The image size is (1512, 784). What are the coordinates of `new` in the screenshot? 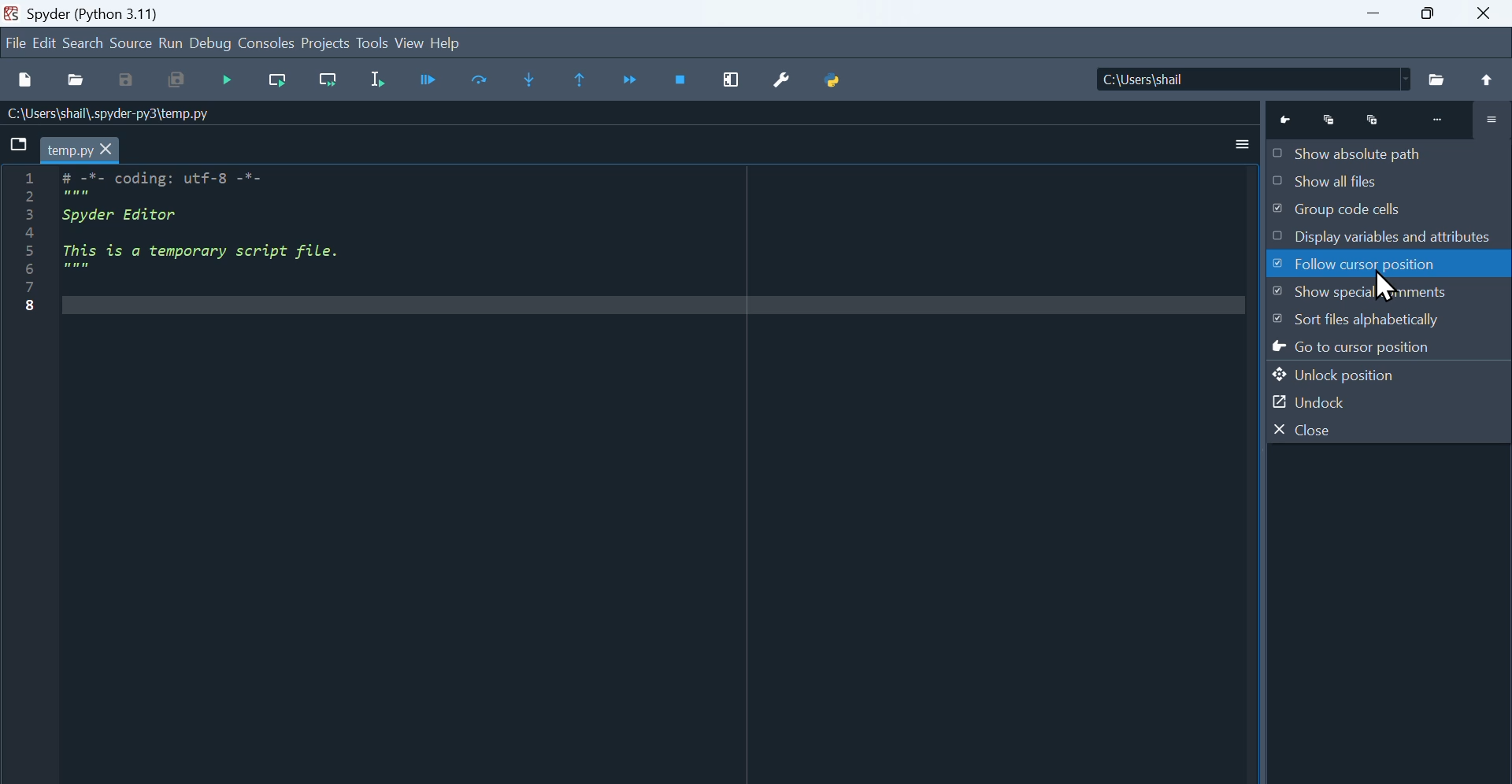 It's located at (24, 80).